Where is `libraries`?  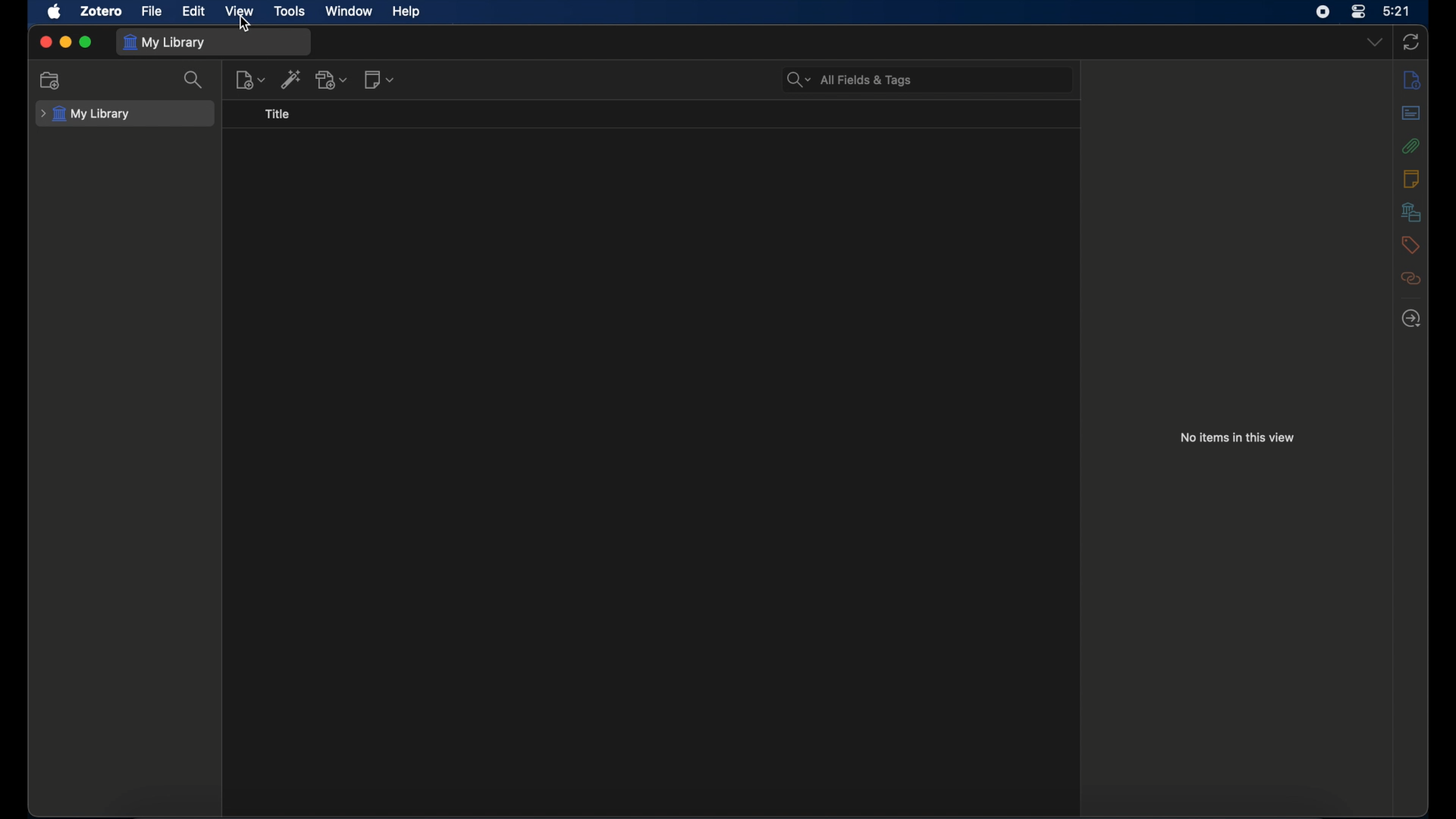
libraries is located at coordinates (1411, 212).